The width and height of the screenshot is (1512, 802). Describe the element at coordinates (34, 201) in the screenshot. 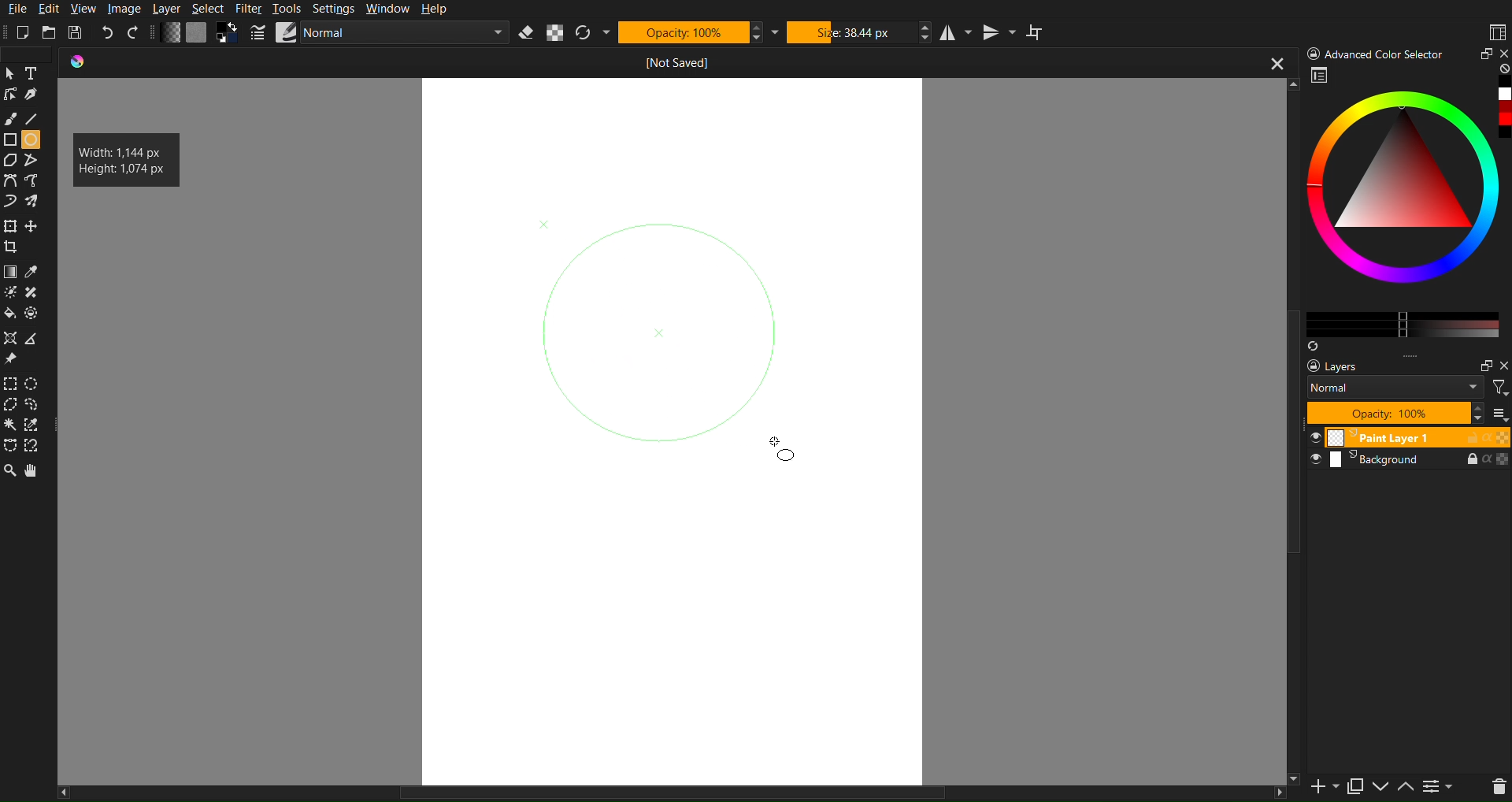

I see `Curve free shape` at that location.